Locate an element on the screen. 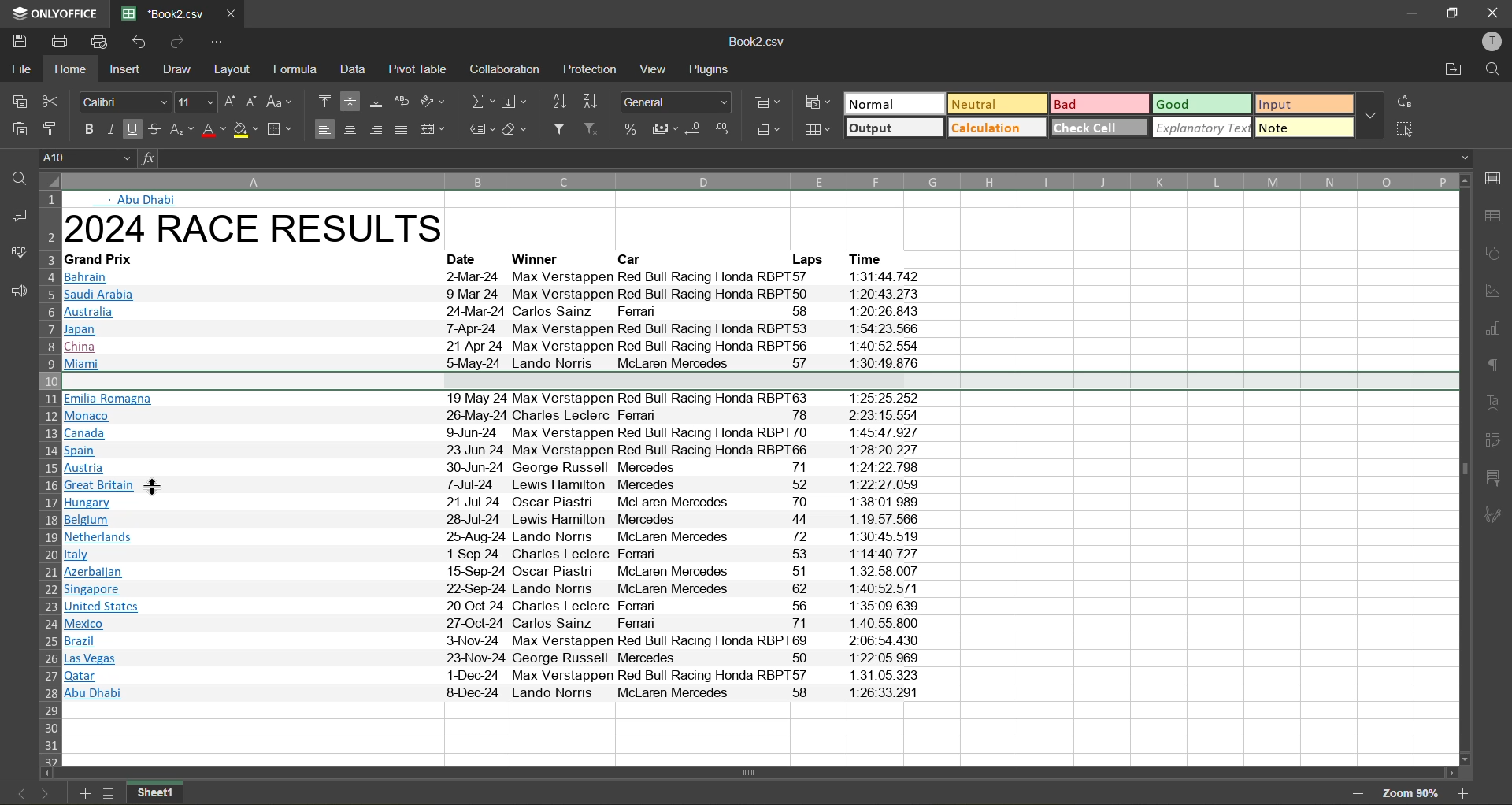  text is located at coordinates (1497, 402).